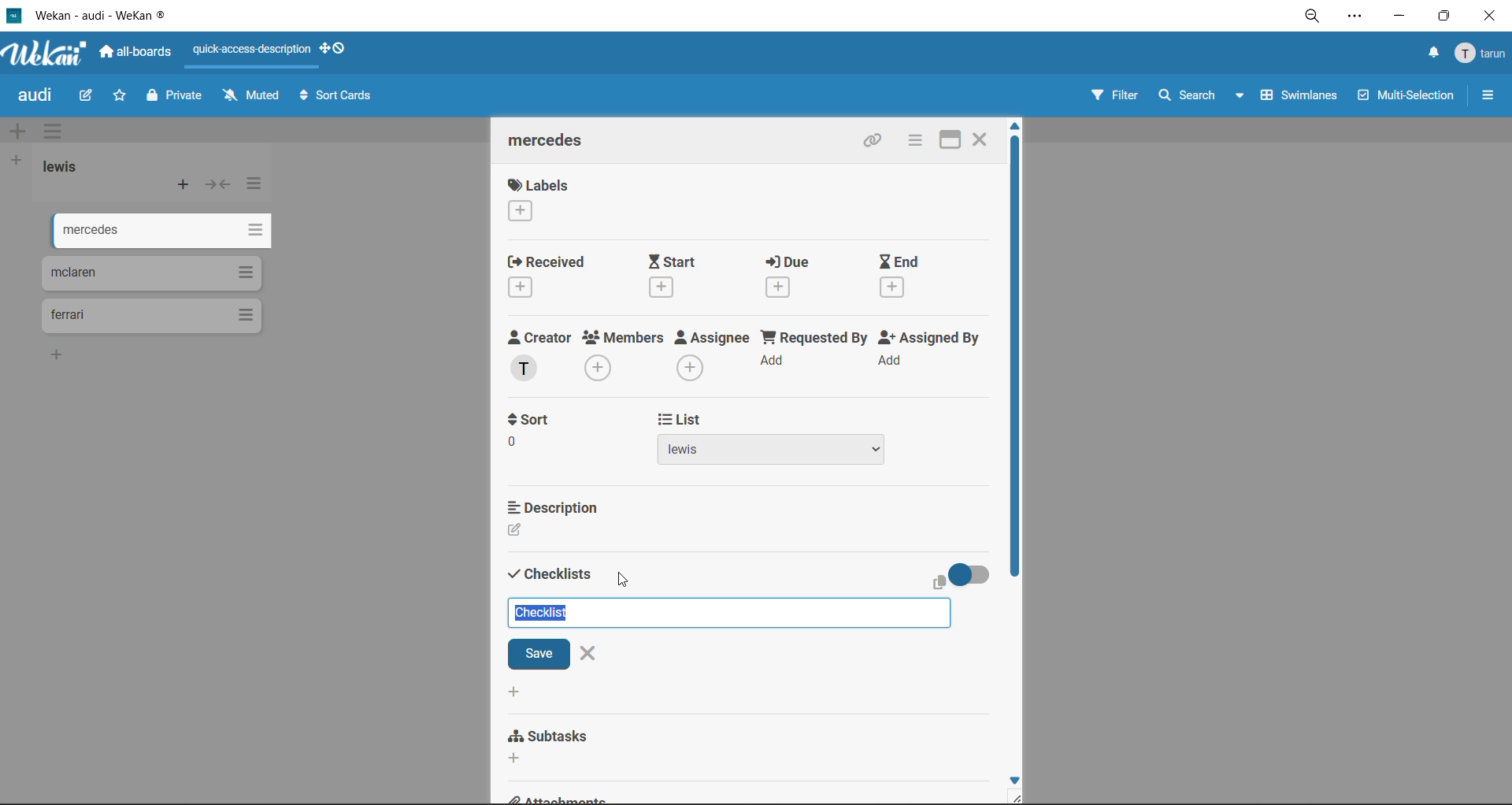  What do you see at coordinates (57, 133) in the screenshot?
I see `swimlane actions` at bounding box center [57, 133].